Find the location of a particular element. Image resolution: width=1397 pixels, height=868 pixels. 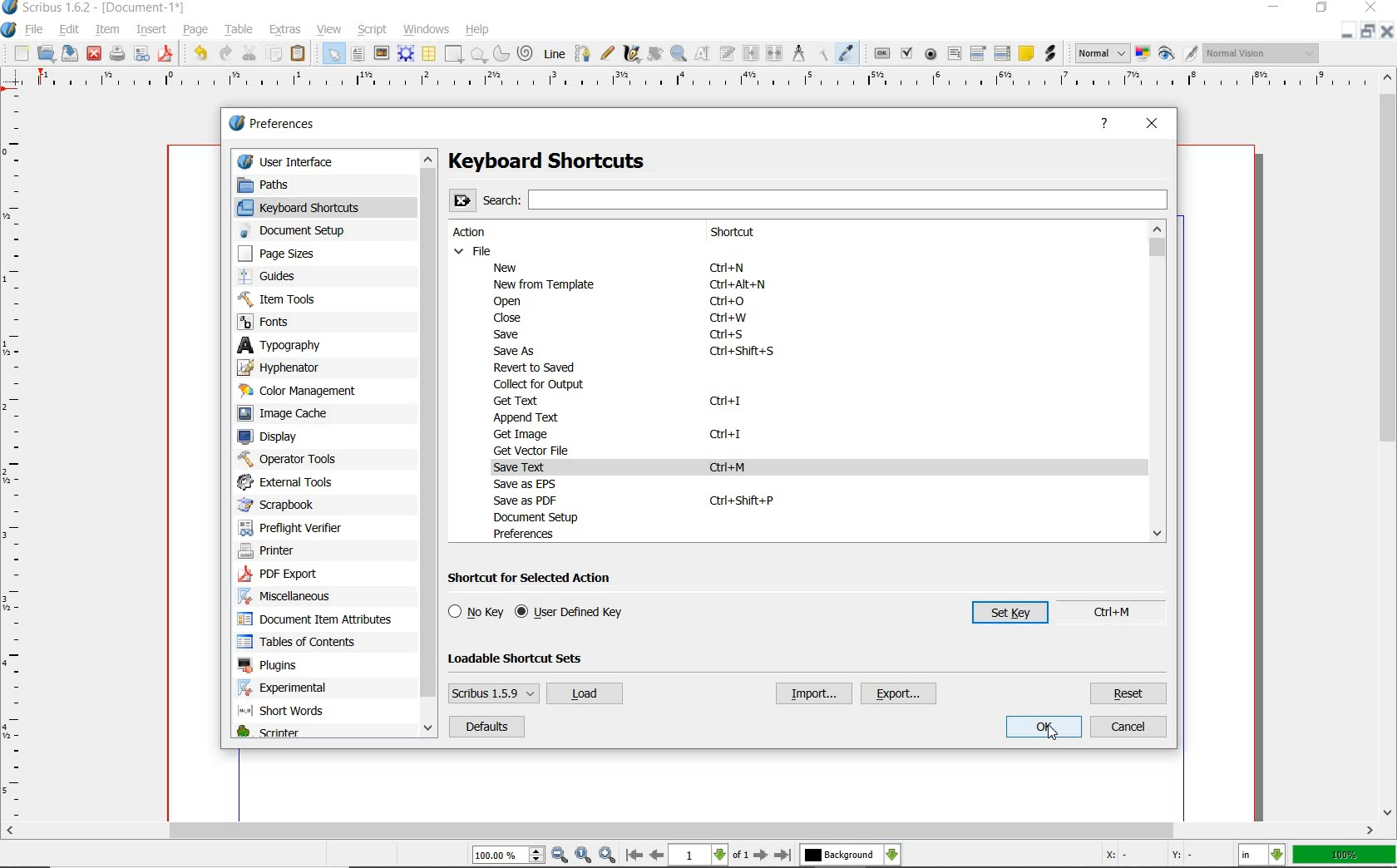

save as pdf is located at coordinates (167, 55).